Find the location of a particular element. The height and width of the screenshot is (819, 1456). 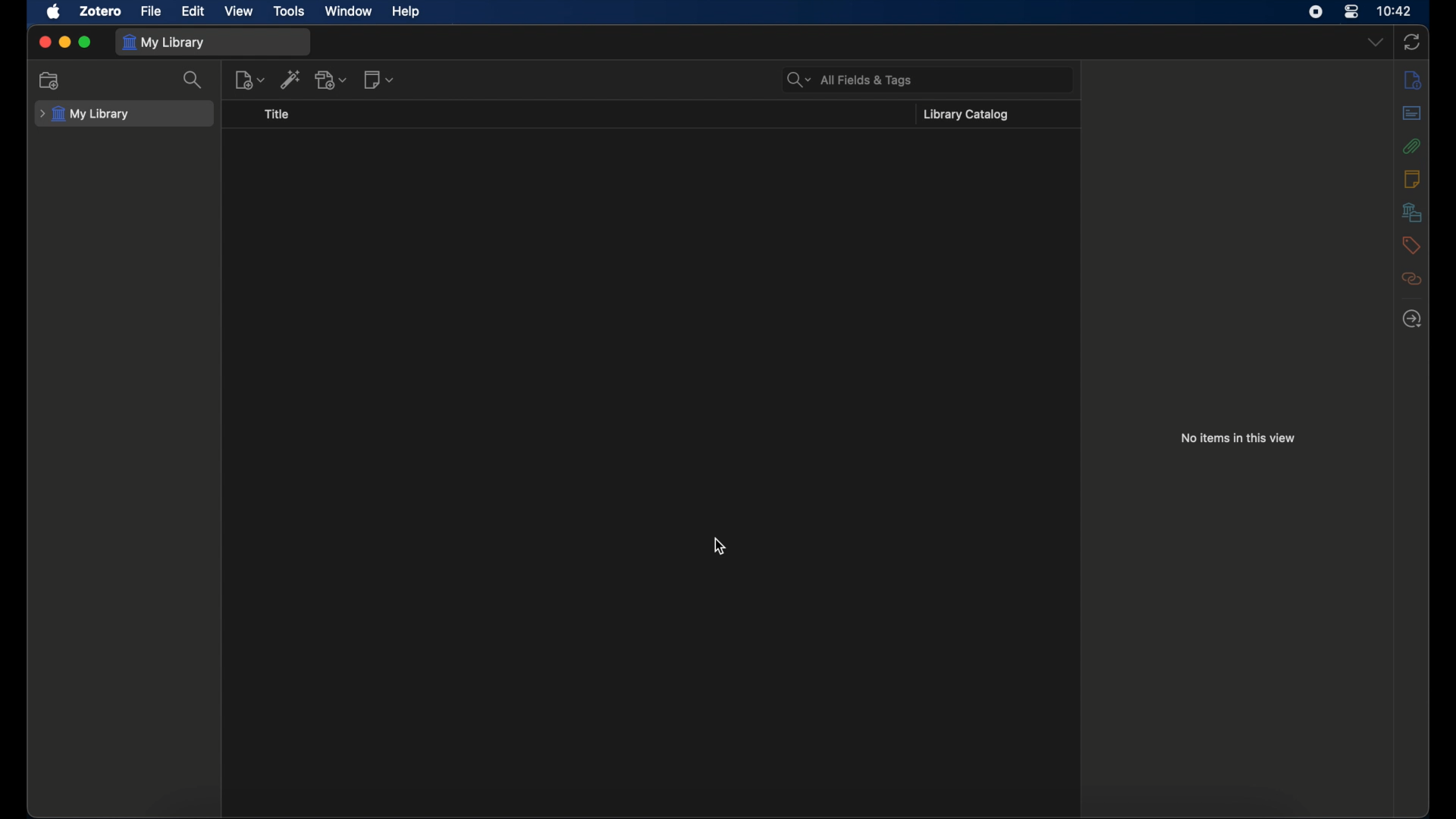

dropdown is located at coordinates (1375, 42).